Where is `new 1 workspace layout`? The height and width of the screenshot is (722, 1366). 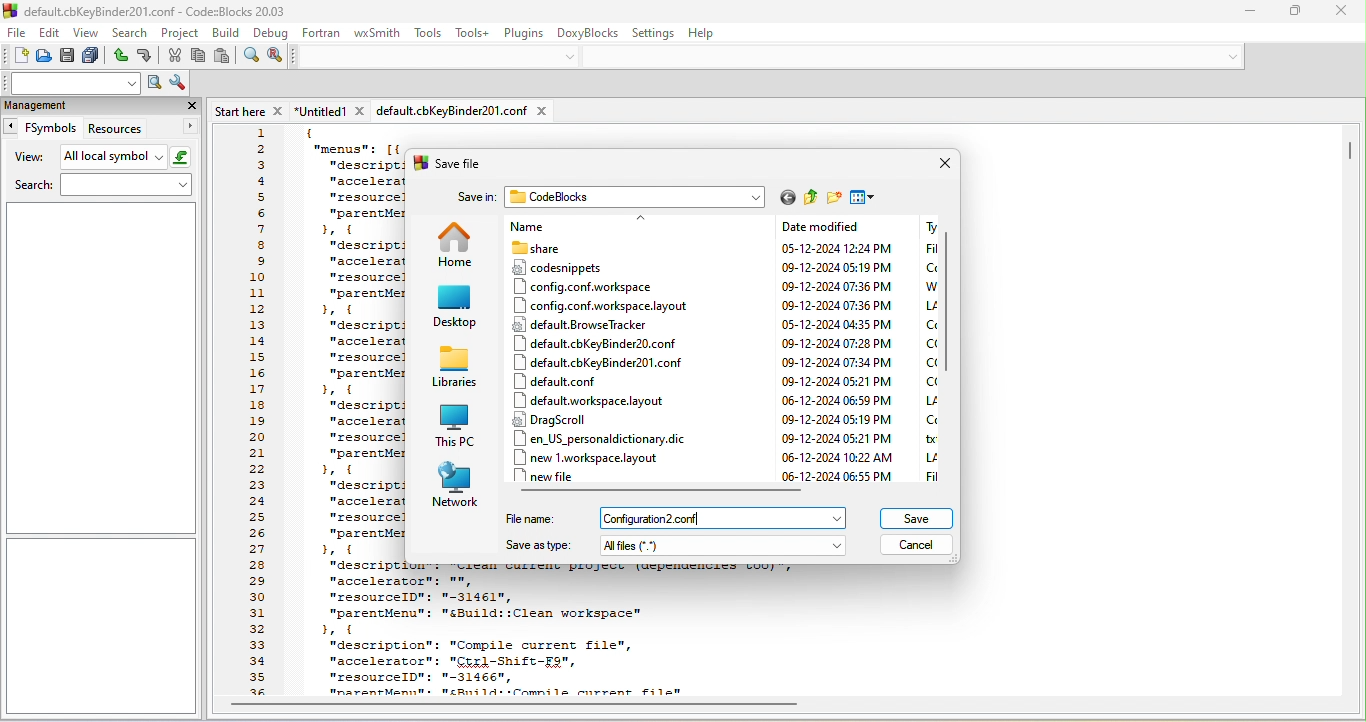 new 1 workspace layout is located at coordinates (599, 457).